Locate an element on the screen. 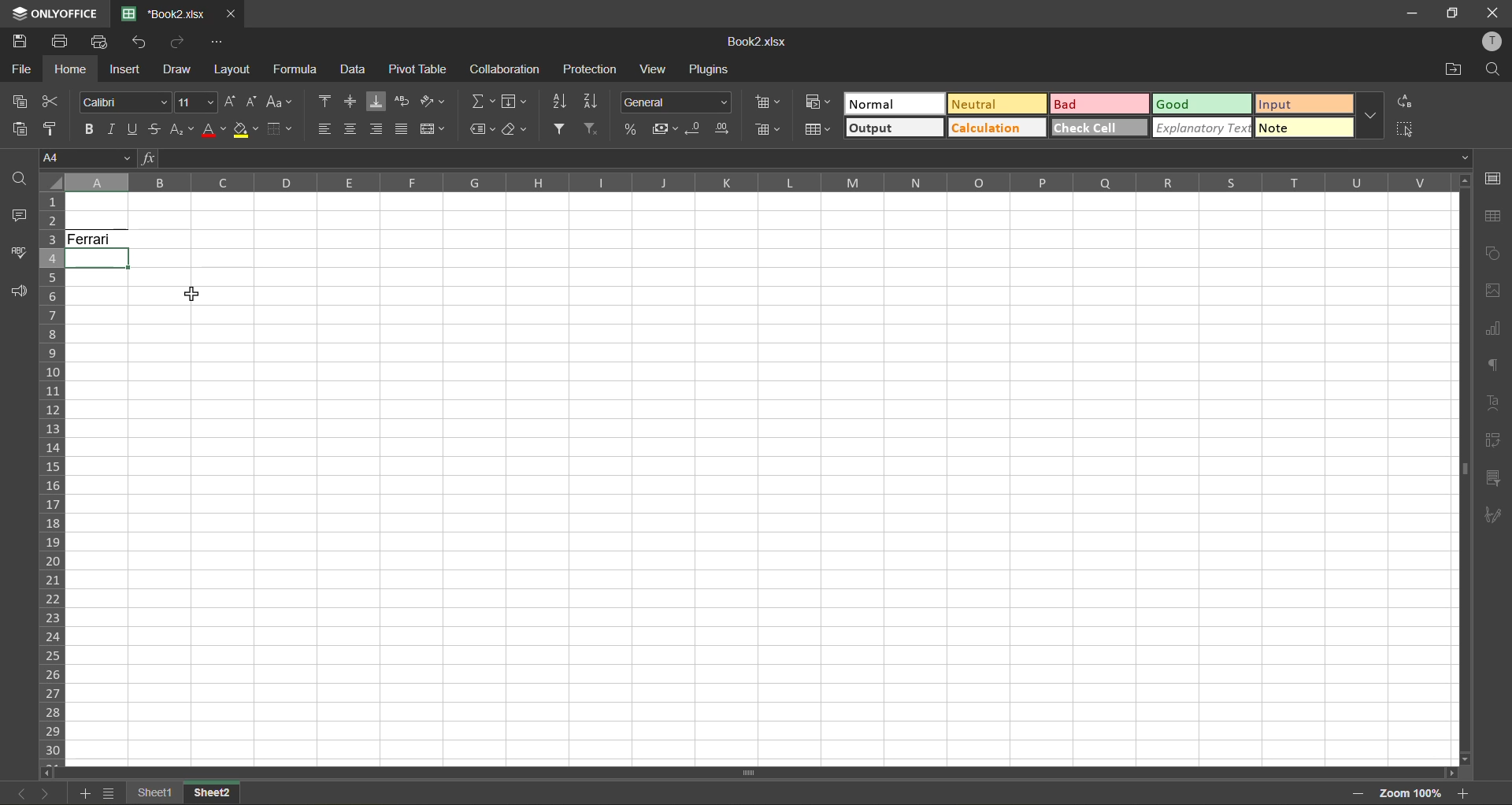 The height and width of the screenshot is (805, 1512). named ranges is located at coordinates (483, 130).